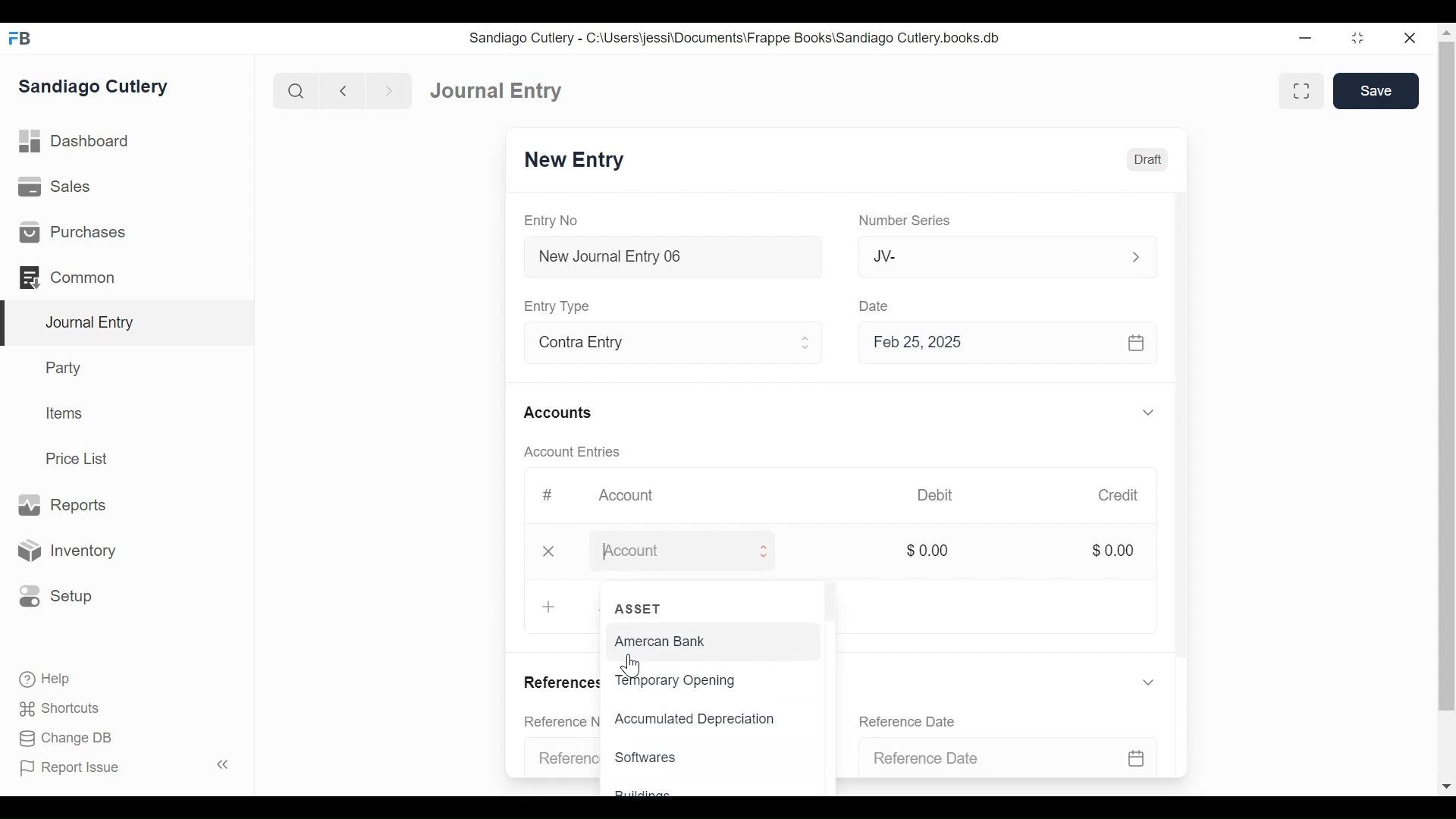  What do you see at coordinates (1411, 37) in the screenshot?
I see `Close` at bounding box center [1411, 37].